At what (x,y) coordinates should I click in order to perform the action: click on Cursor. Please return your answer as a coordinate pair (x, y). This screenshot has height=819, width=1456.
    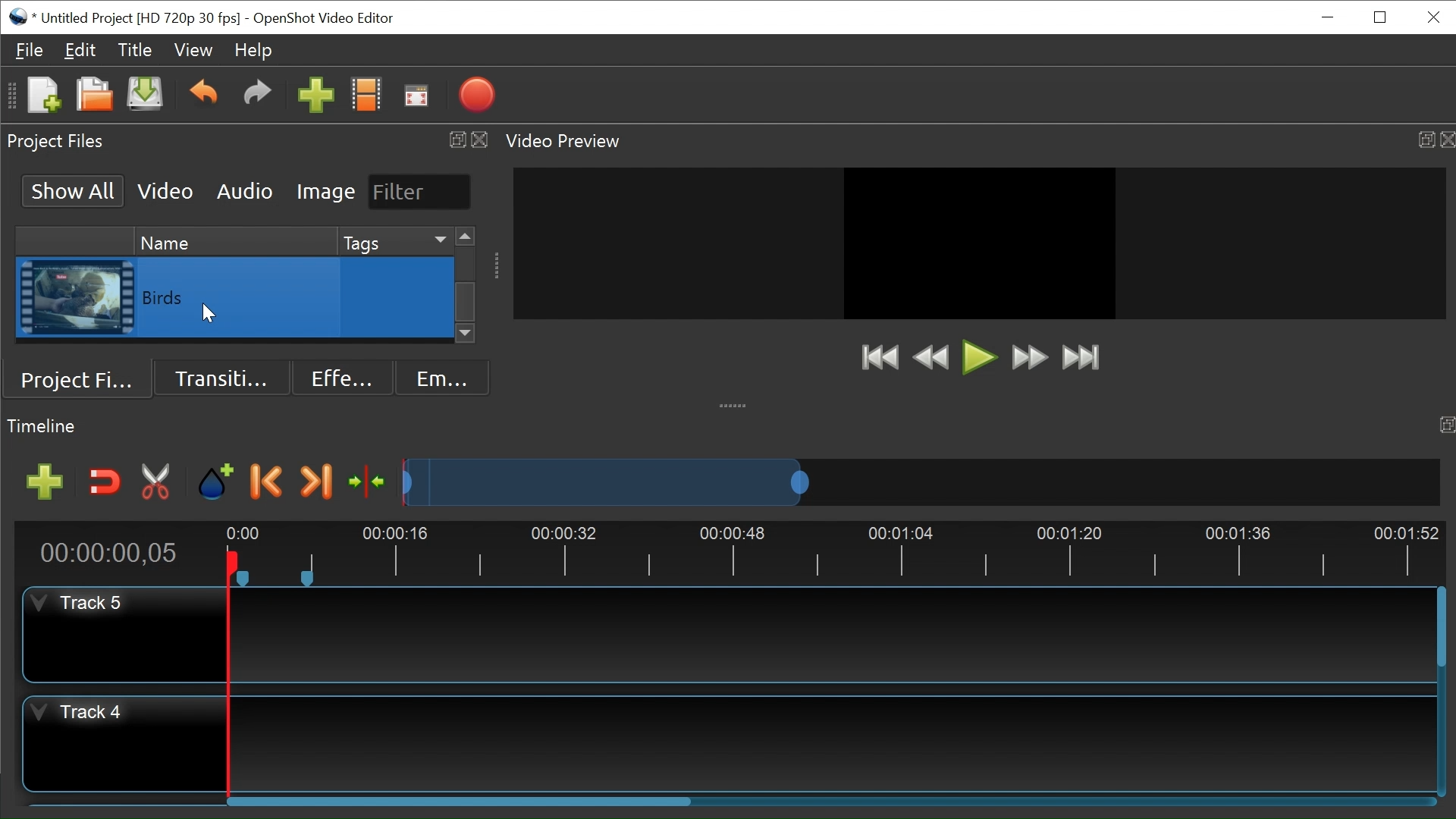
    Looking at the image, I should click on (207, 312).